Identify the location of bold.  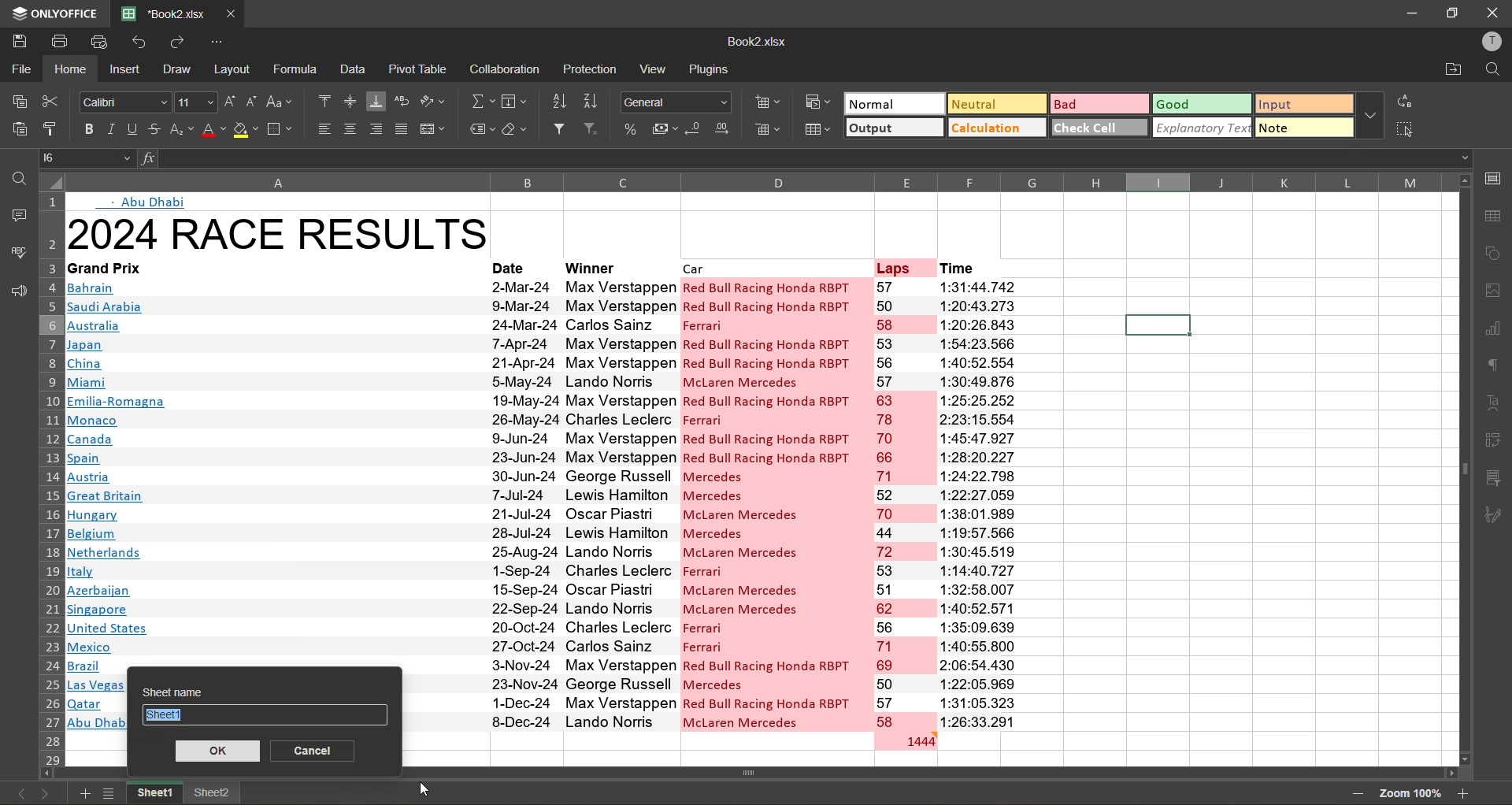
(85, 129).